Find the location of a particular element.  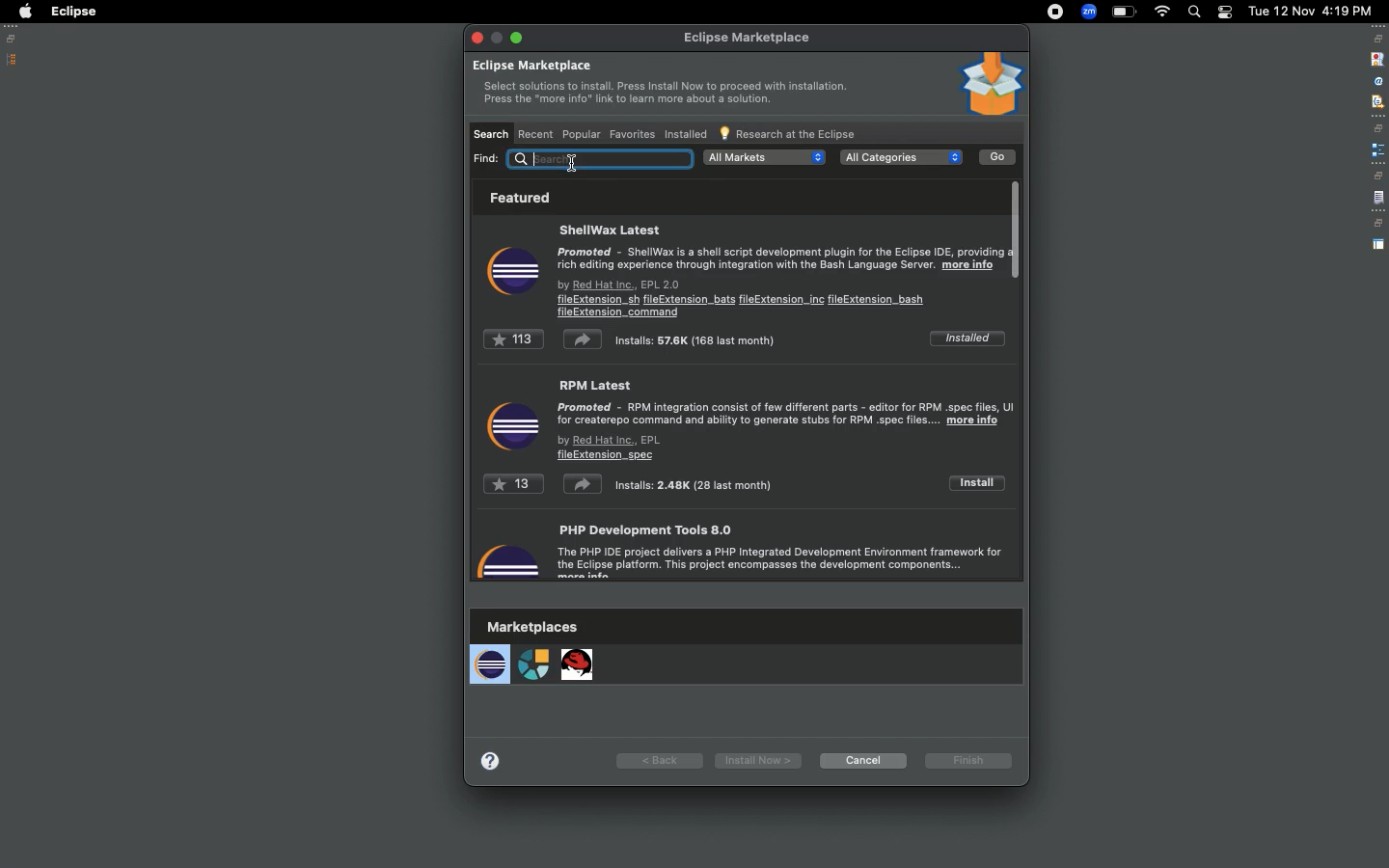

all markets is located at coordinates (765, 157).